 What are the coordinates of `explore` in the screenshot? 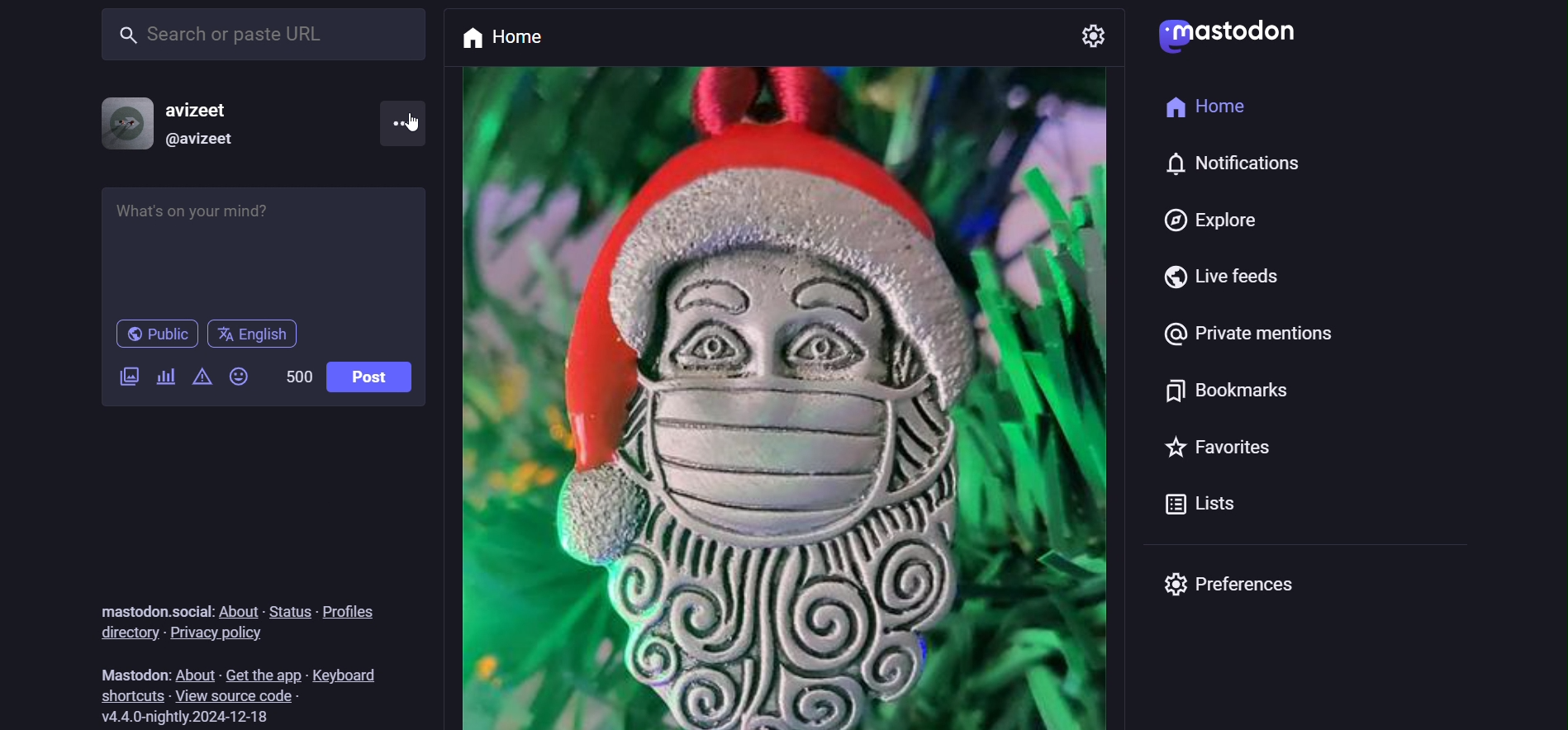 It's located at (1247, 221).